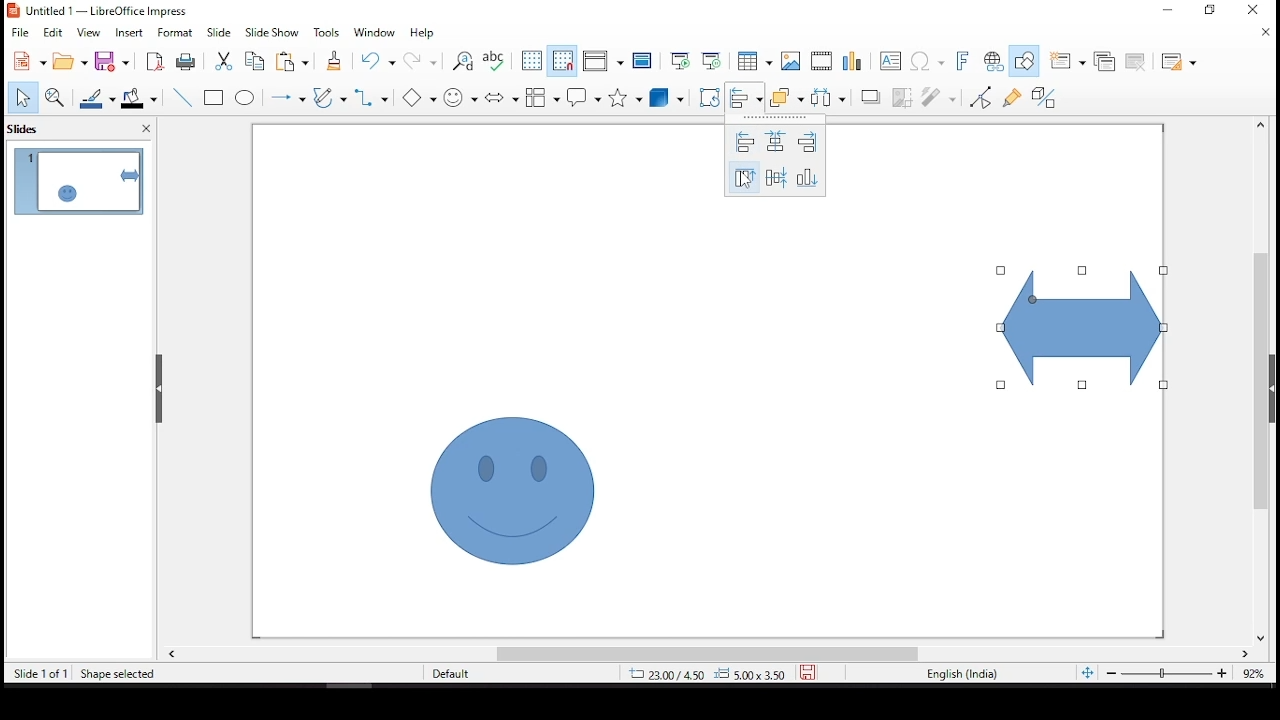 The width and height of the screenshot is (1280, 720). Describe the element at coordinates (603, 62) in the screenshot. I see `display views` at that location.